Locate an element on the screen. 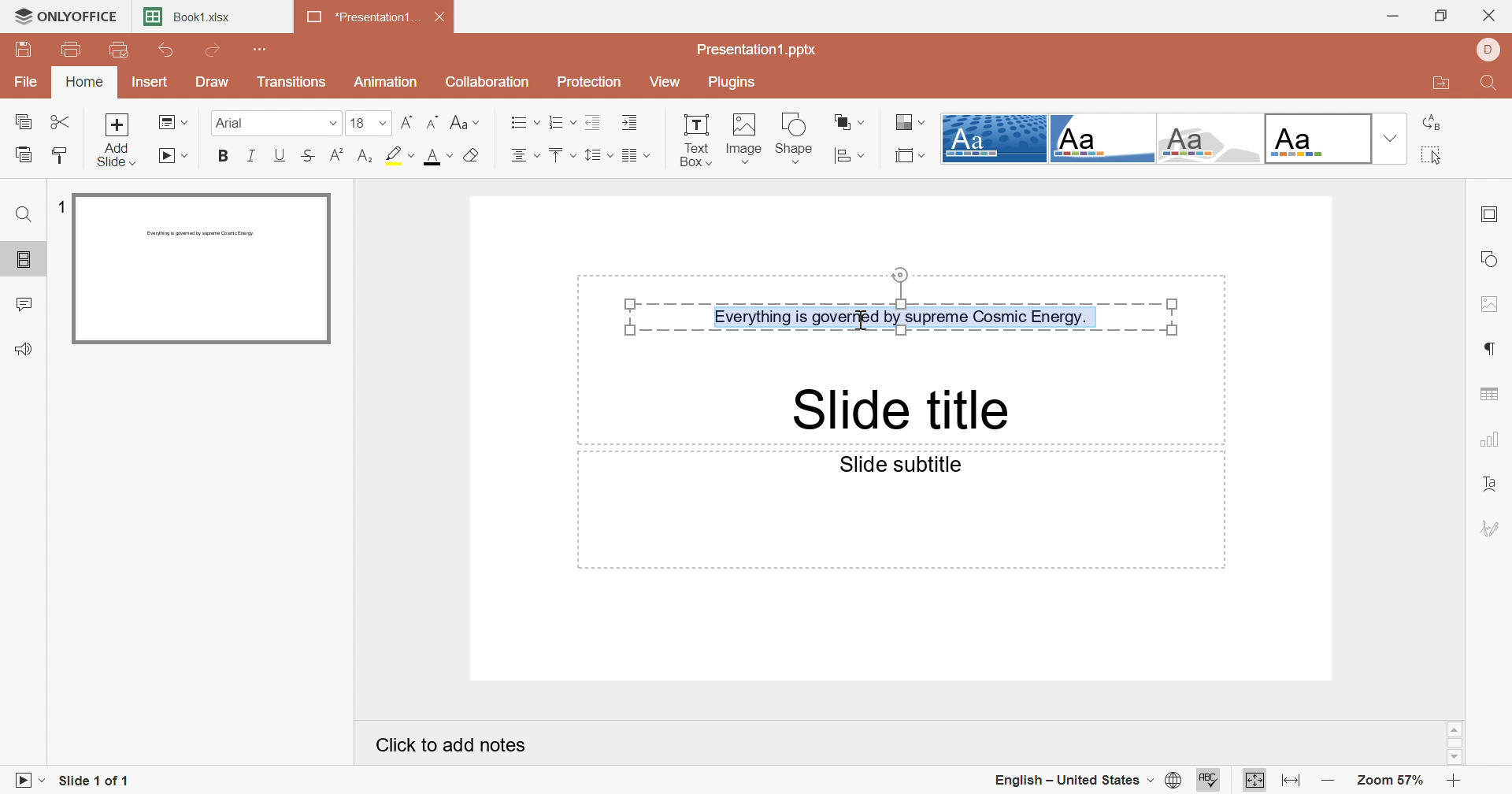  Change slide layout is located at coordinates (173, 121).